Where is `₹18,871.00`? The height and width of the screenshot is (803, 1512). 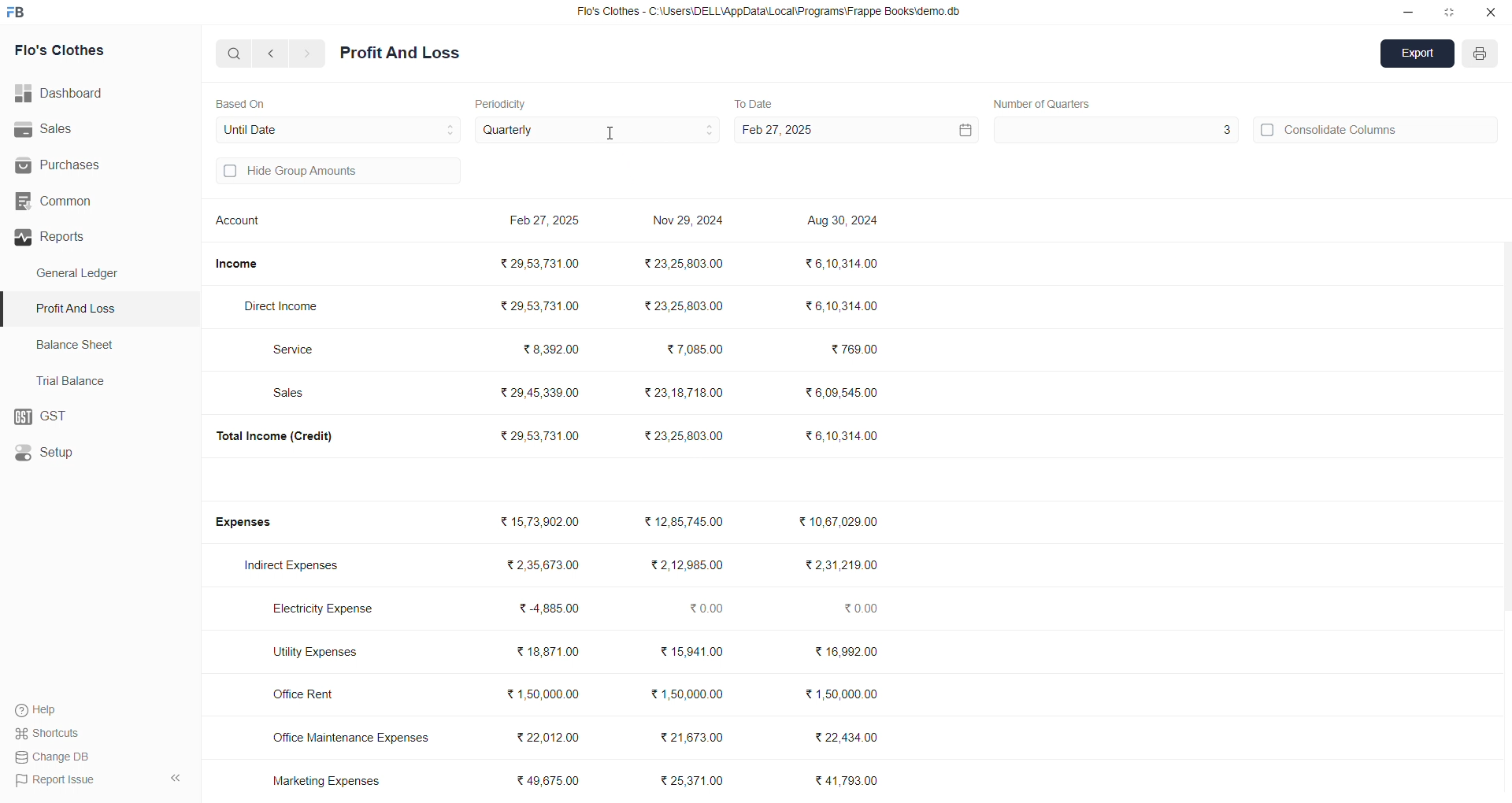 ₹18,871.00 is located at coordinates (547, 652).